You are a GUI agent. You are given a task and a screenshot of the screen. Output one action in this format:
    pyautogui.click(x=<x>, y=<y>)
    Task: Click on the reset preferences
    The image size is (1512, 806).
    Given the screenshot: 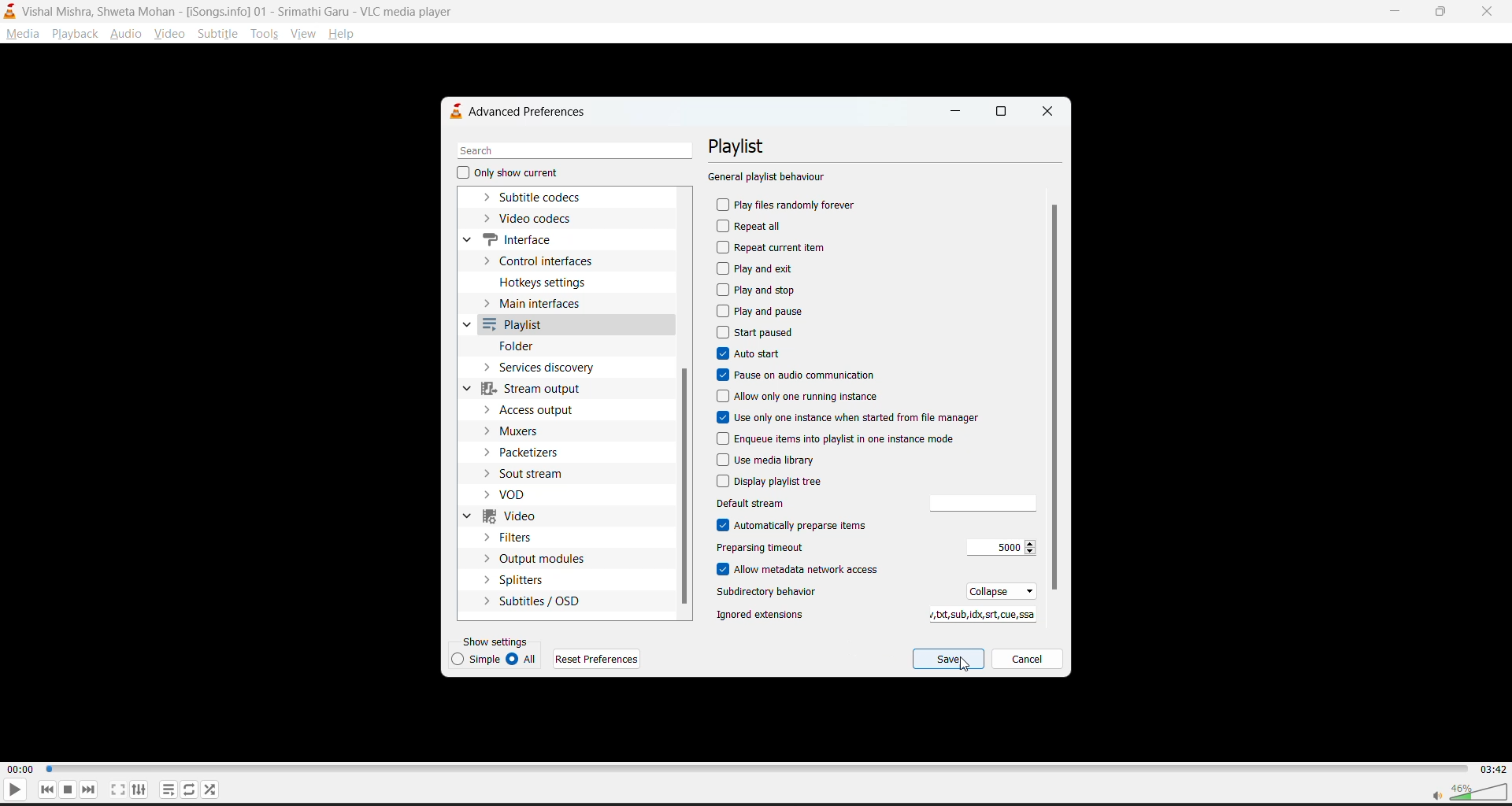 What is the action you would take?
    pyautogui.click(x=595, y=660)
    